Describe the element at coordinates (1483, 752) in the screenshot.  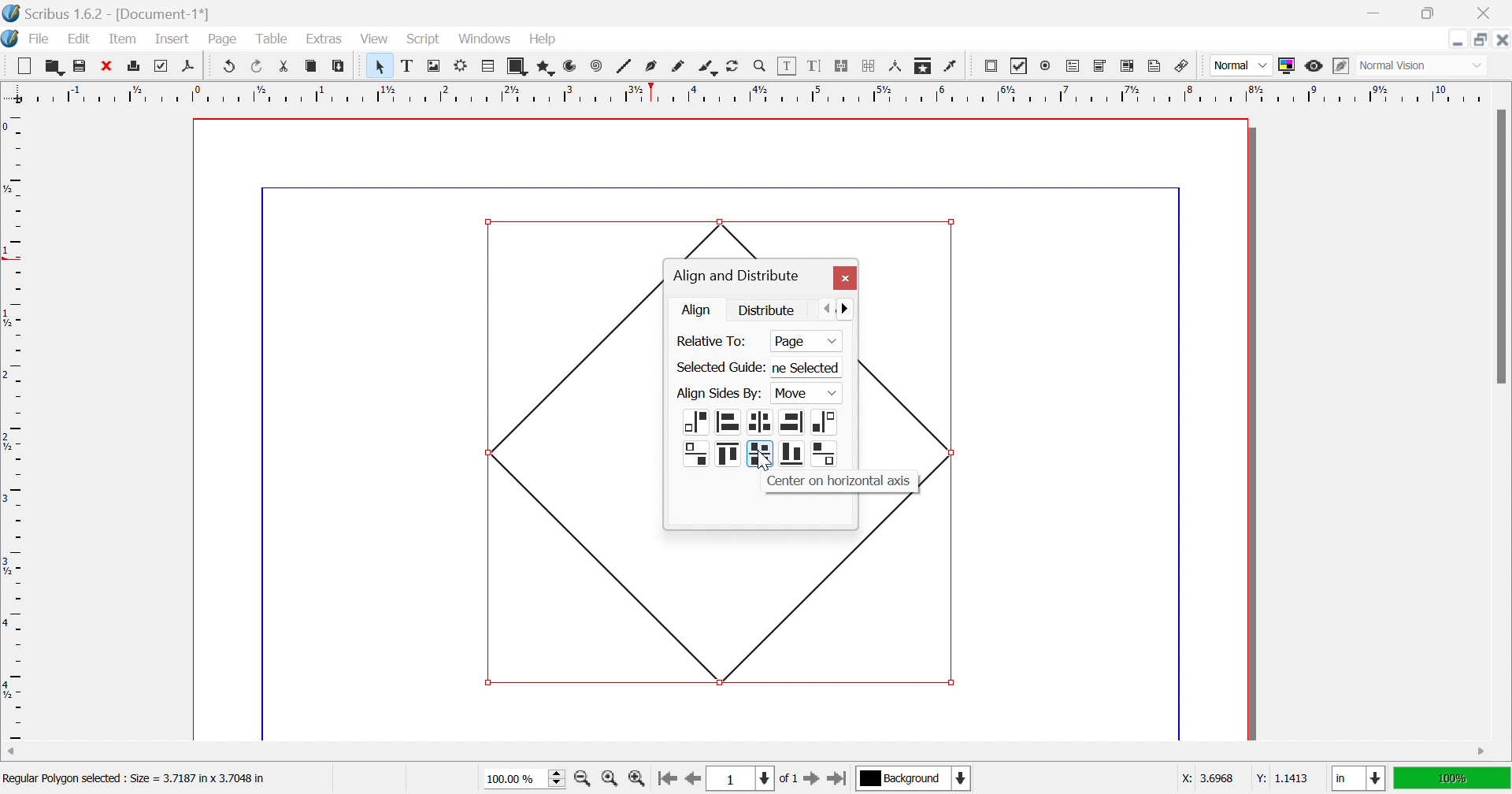
I see `Scroll right` at that location.